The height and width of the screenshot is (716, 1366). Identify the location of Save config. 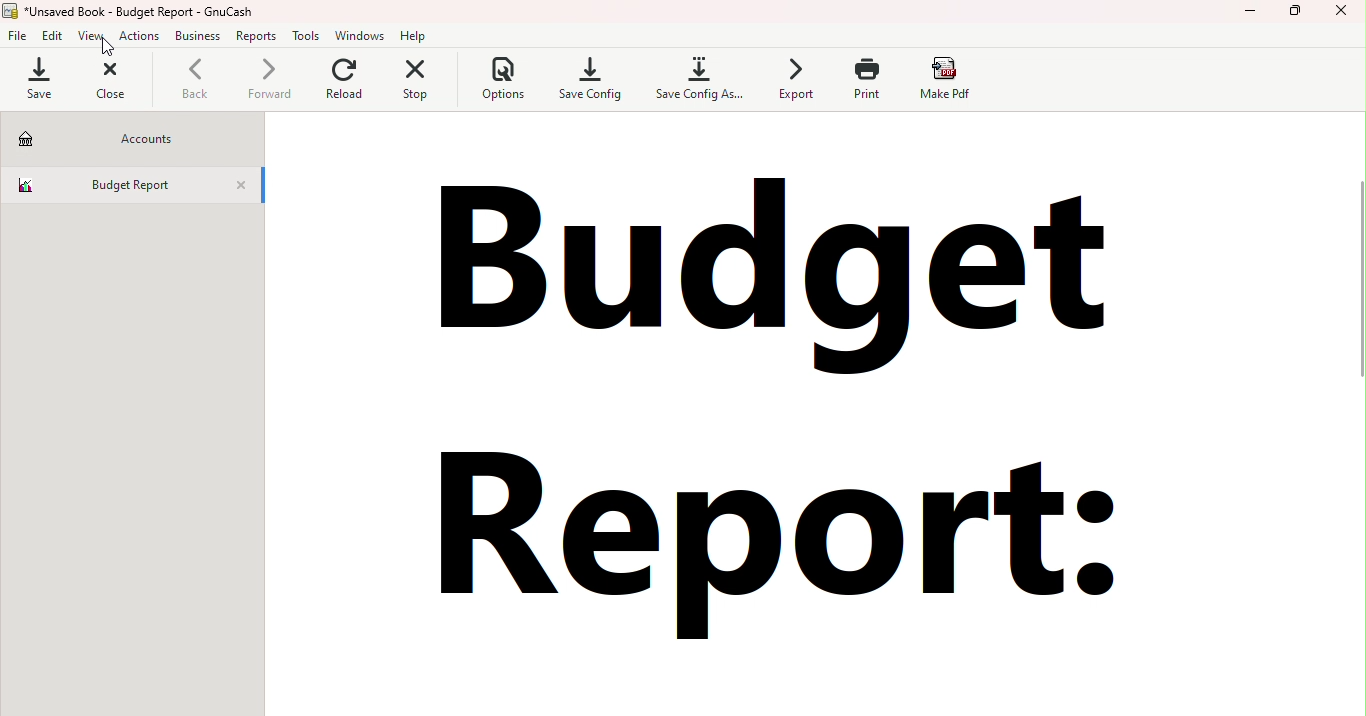
(588, 78).